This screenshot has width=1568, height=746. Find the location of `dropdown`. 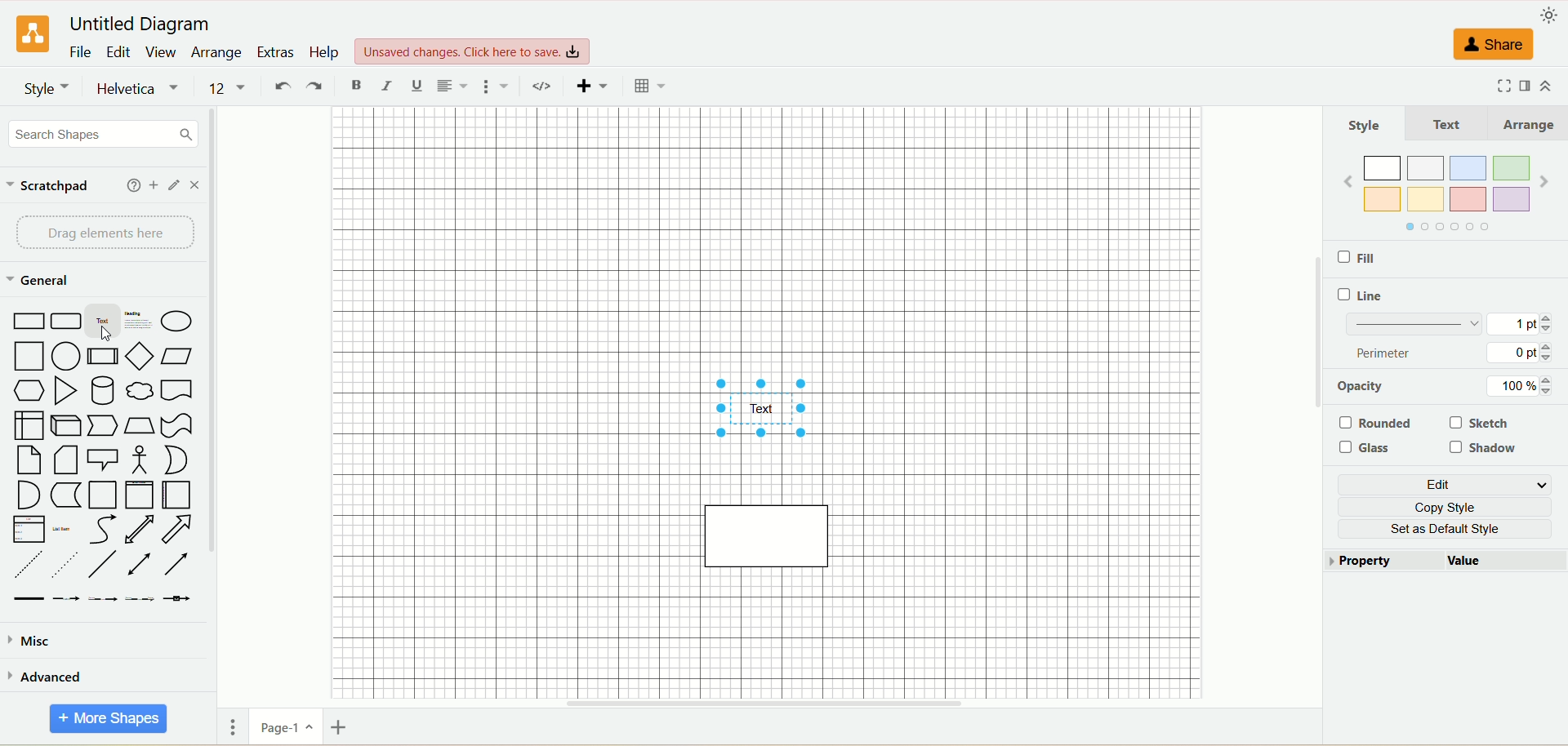

dropdown is located at coordinates (501, 87).